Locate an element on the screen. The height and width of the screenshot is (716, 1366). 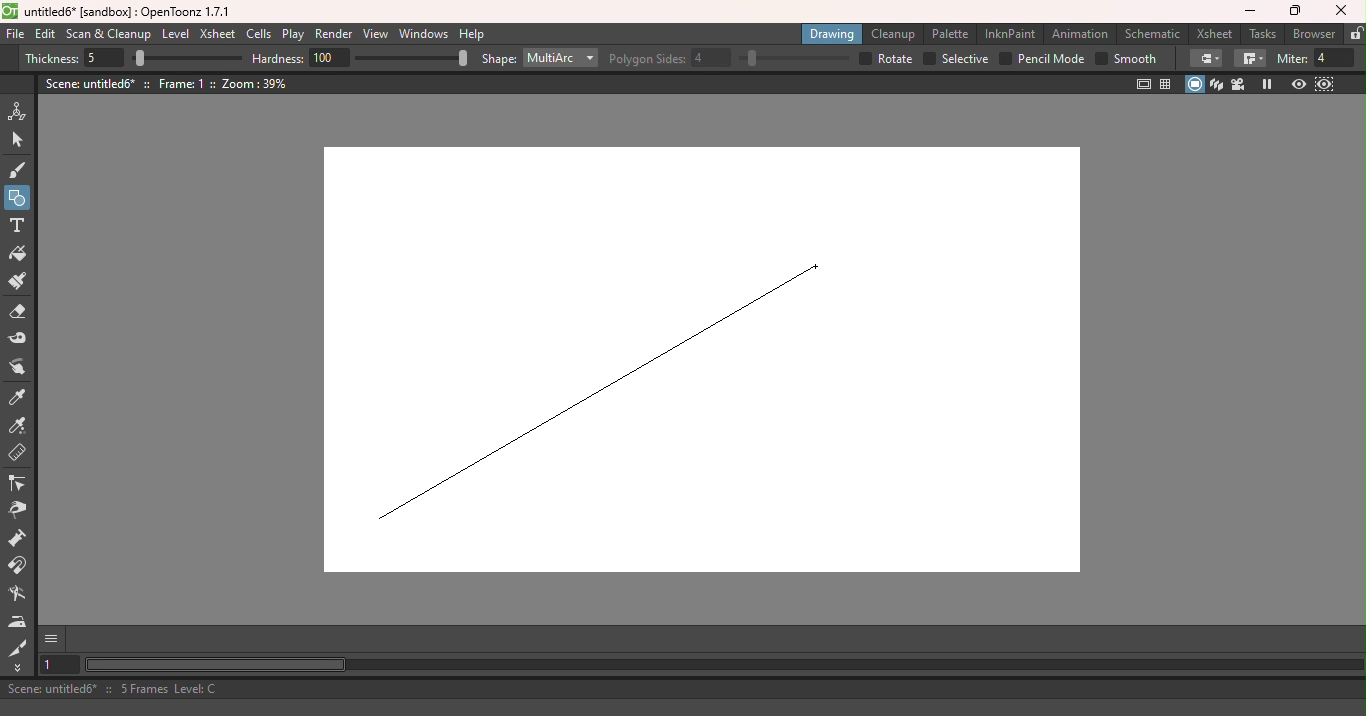
Play is located at coordinates (292, 35).